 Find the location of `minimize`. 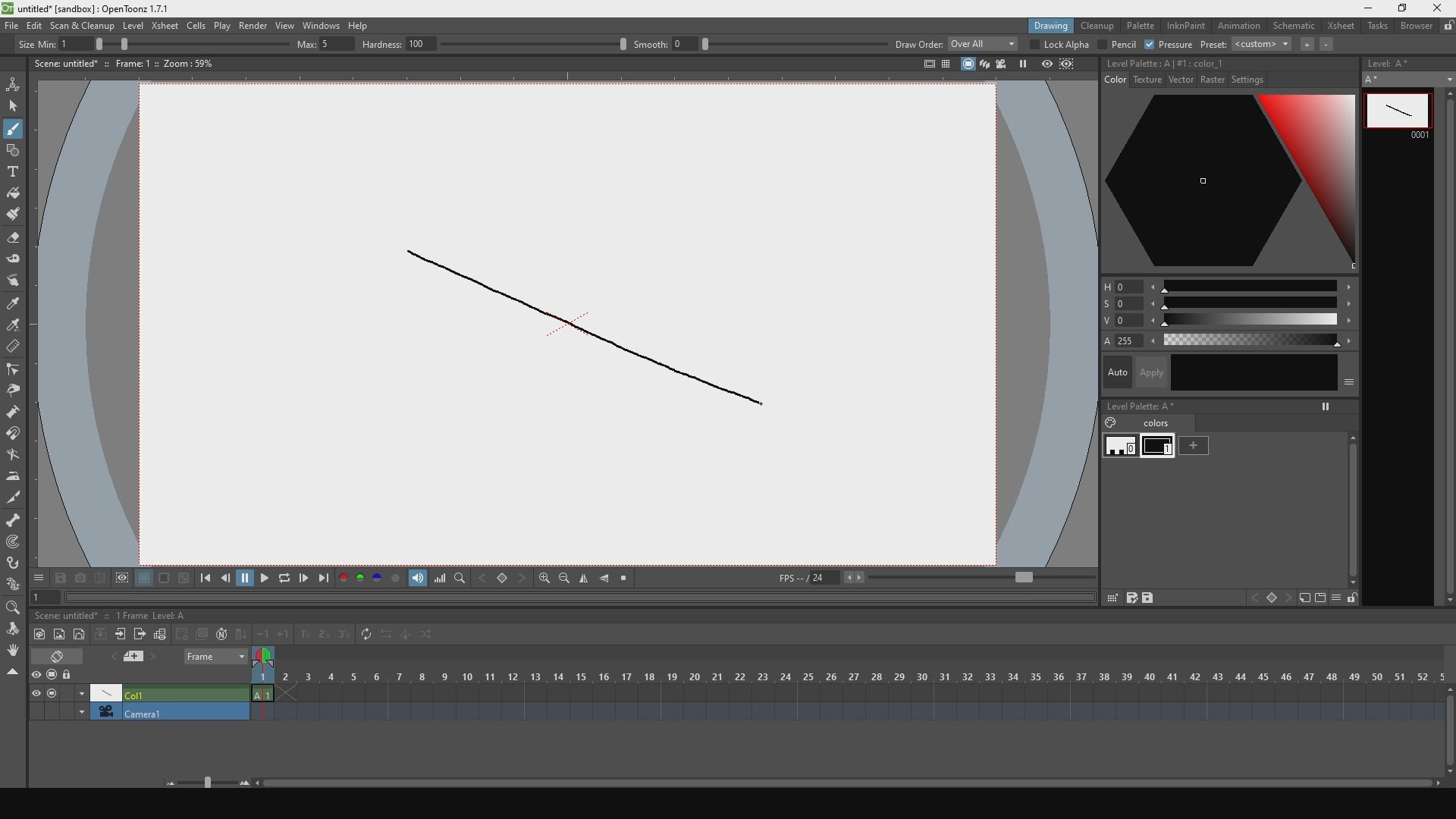

minimize is located at coordinates (1366, 7).